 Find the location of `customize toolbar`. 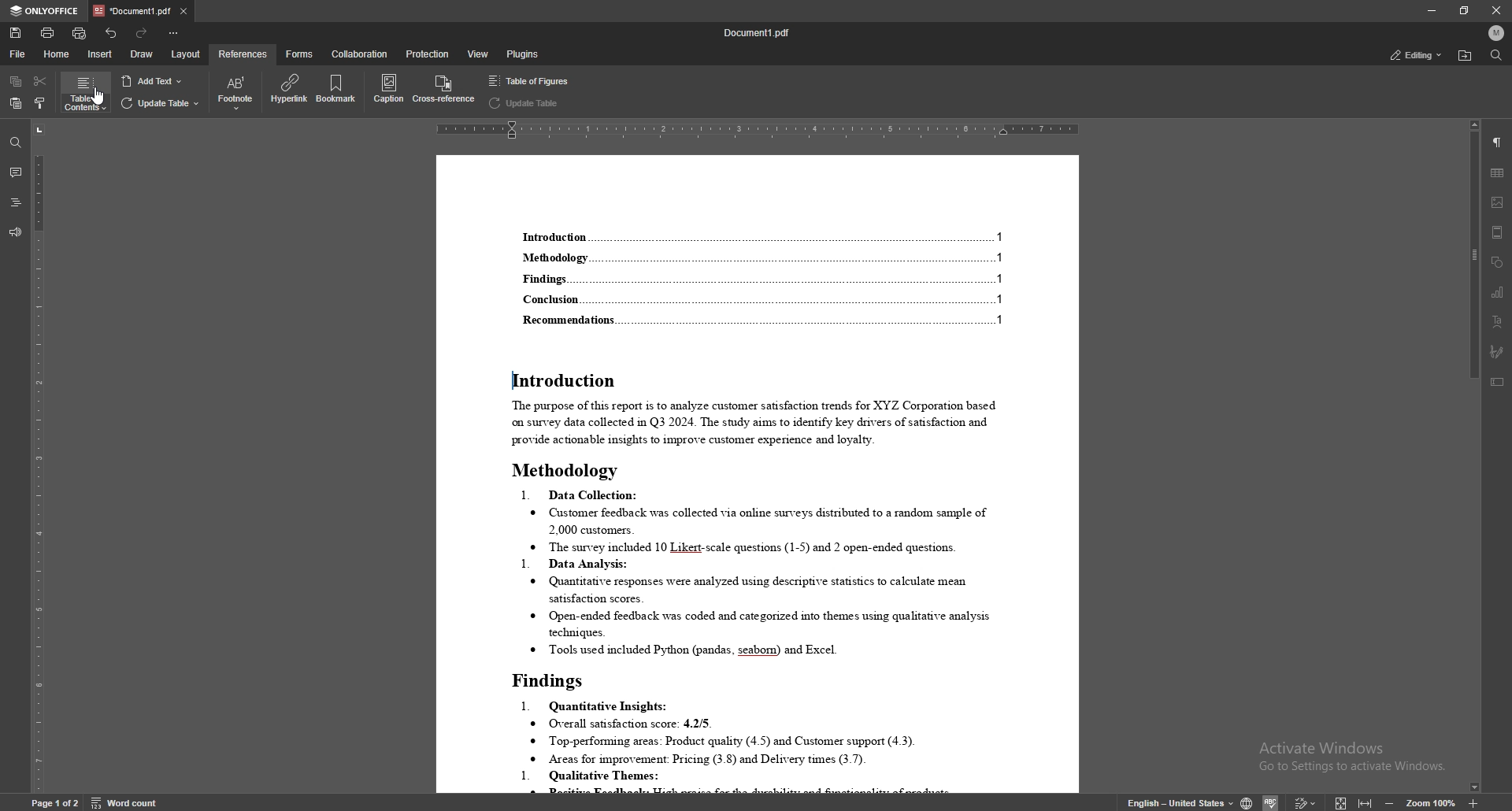

customize toolbar is located at coordinates (173, 33).